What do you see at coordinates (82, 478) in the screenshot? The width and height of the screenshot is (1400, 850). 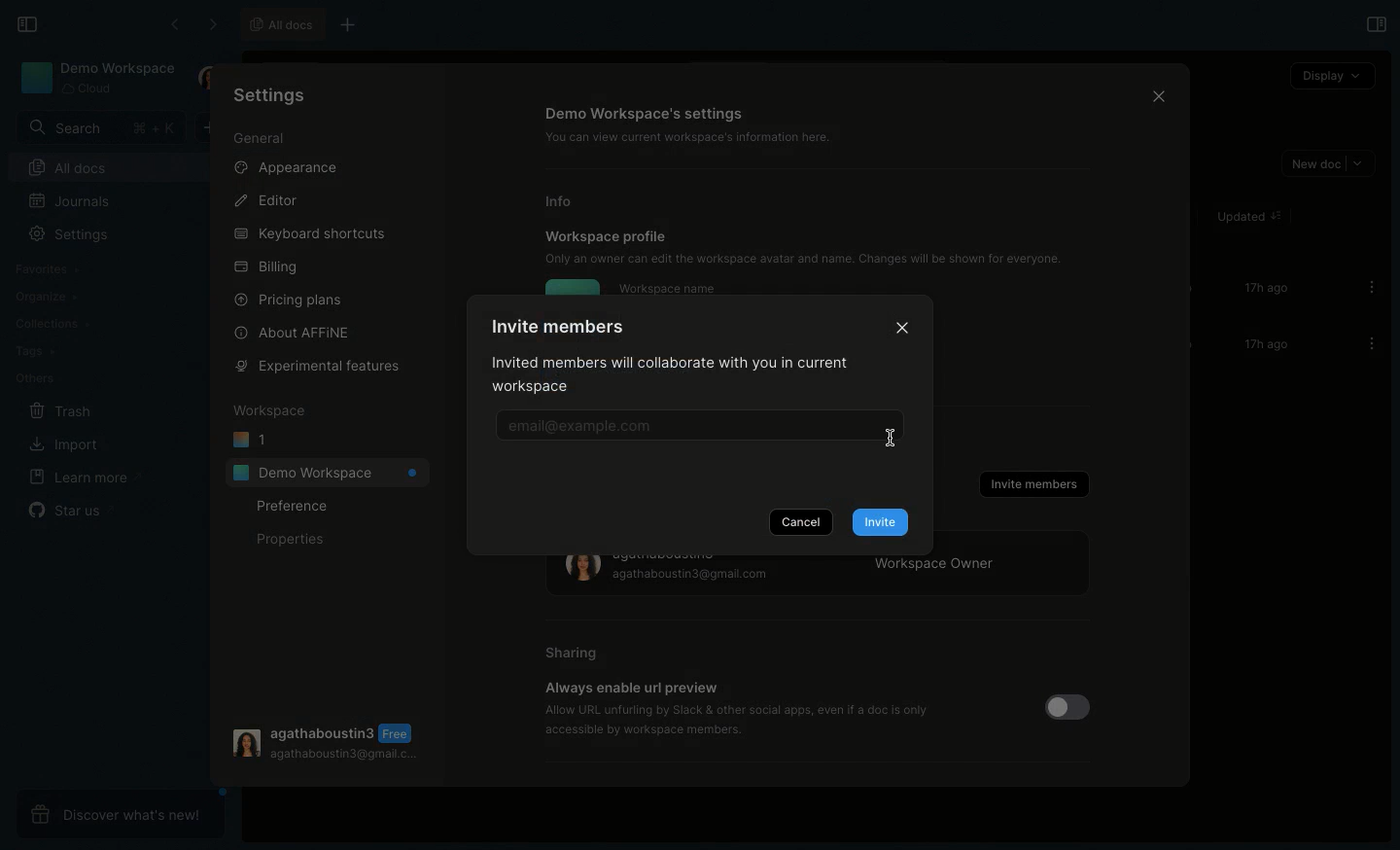 I see `Learn more` at bounding box center [82, 478].